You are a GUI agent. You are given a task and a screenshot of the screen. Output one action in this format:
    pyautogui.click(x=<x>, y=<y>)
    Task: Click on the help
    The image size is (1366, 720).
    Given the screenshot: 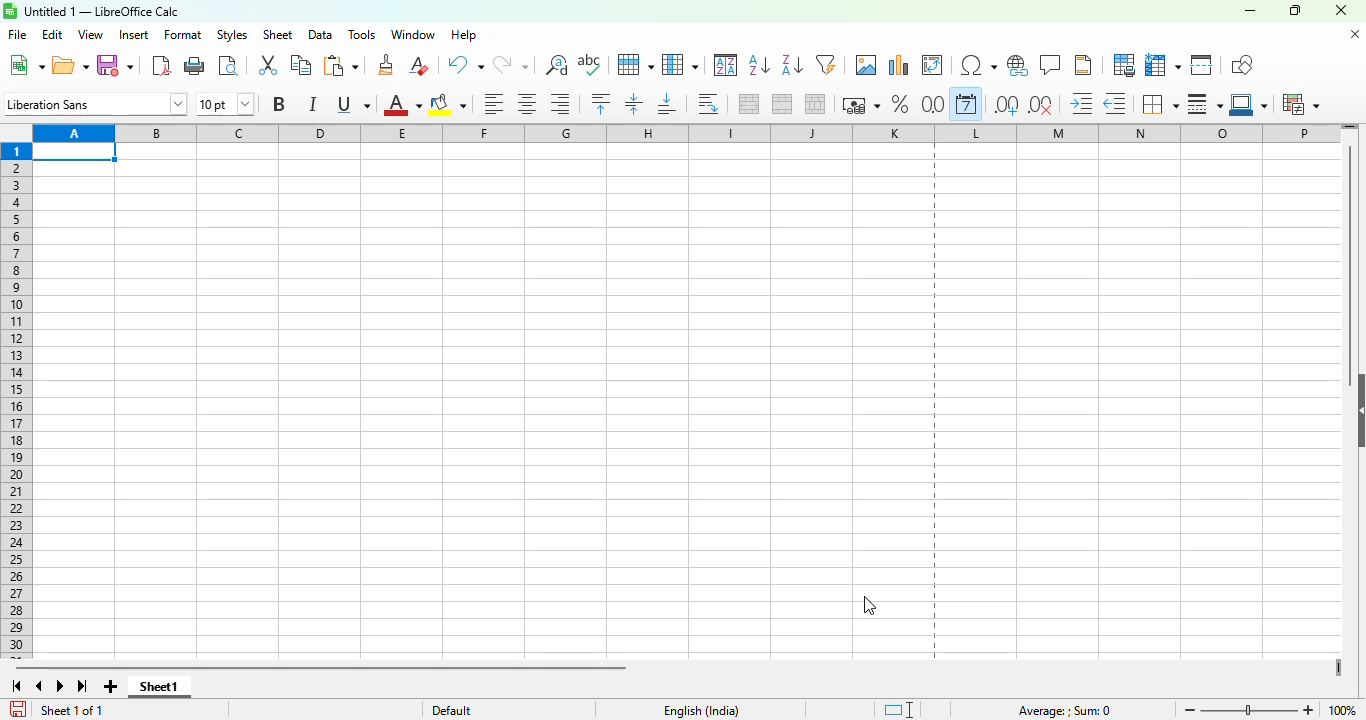 What is the action you would take?
    pyautogui.click(x=464, y=34)
    